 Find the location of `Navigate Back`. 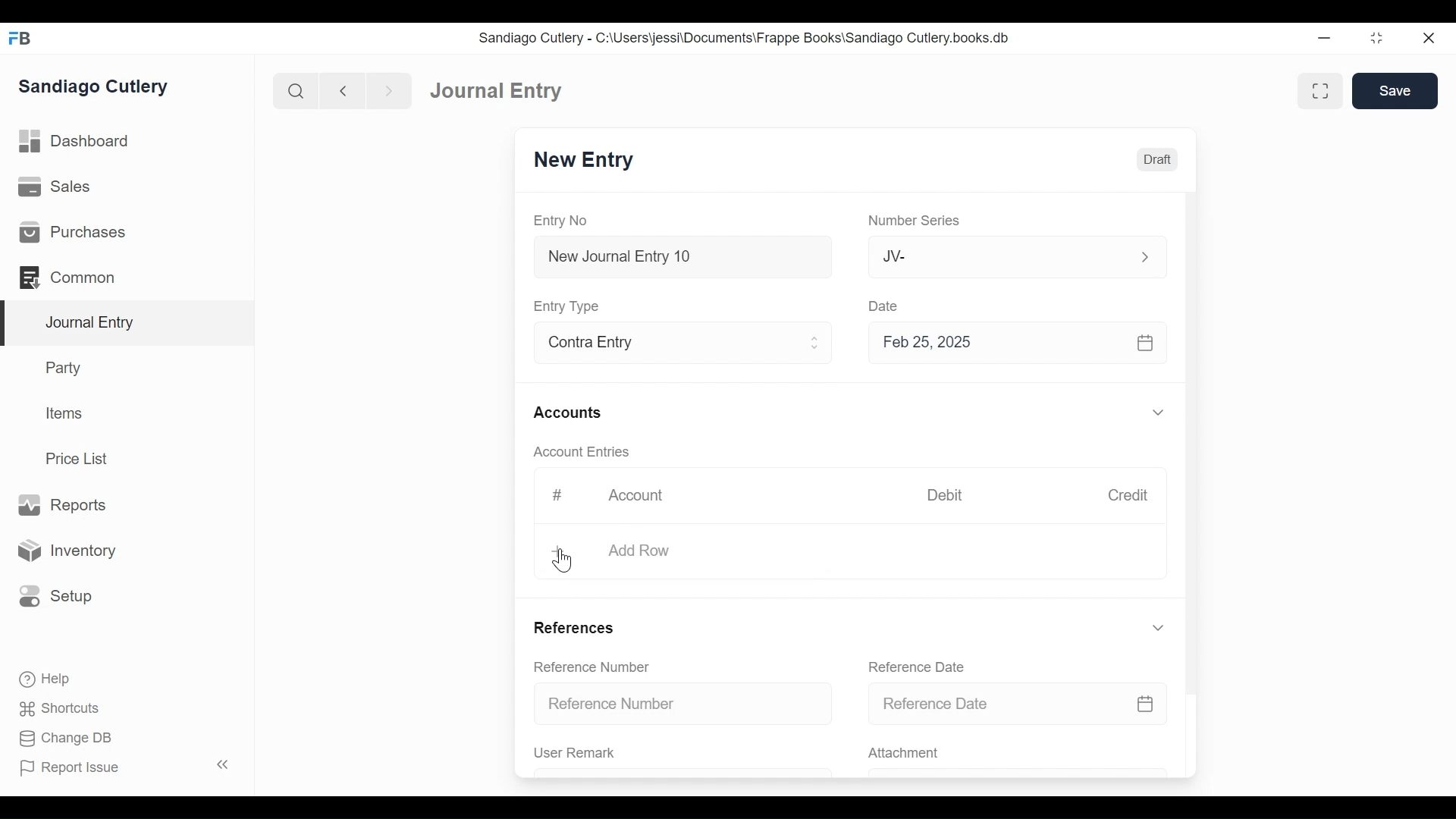

Navigate Back is located at coordinates (344, 91).